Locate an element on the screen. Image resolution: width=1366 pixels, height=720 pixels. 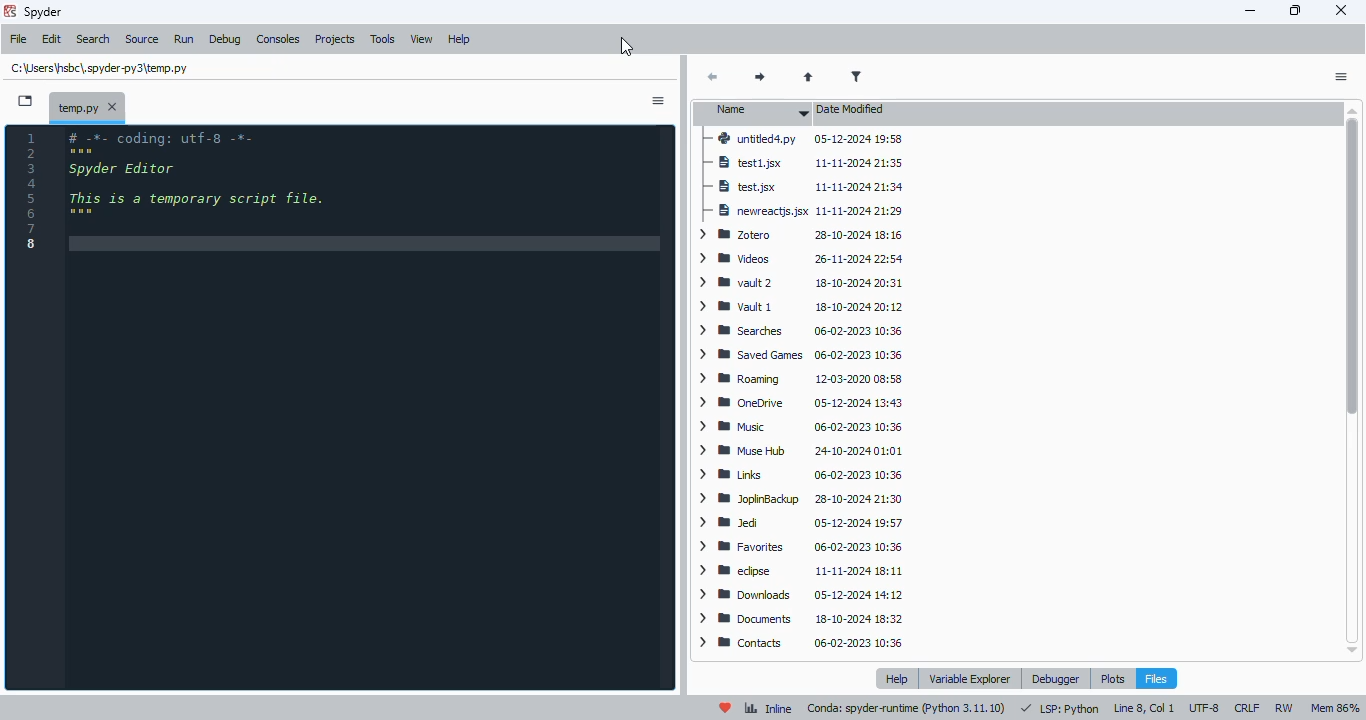
CRLF is located at coordinates (1246, 707).